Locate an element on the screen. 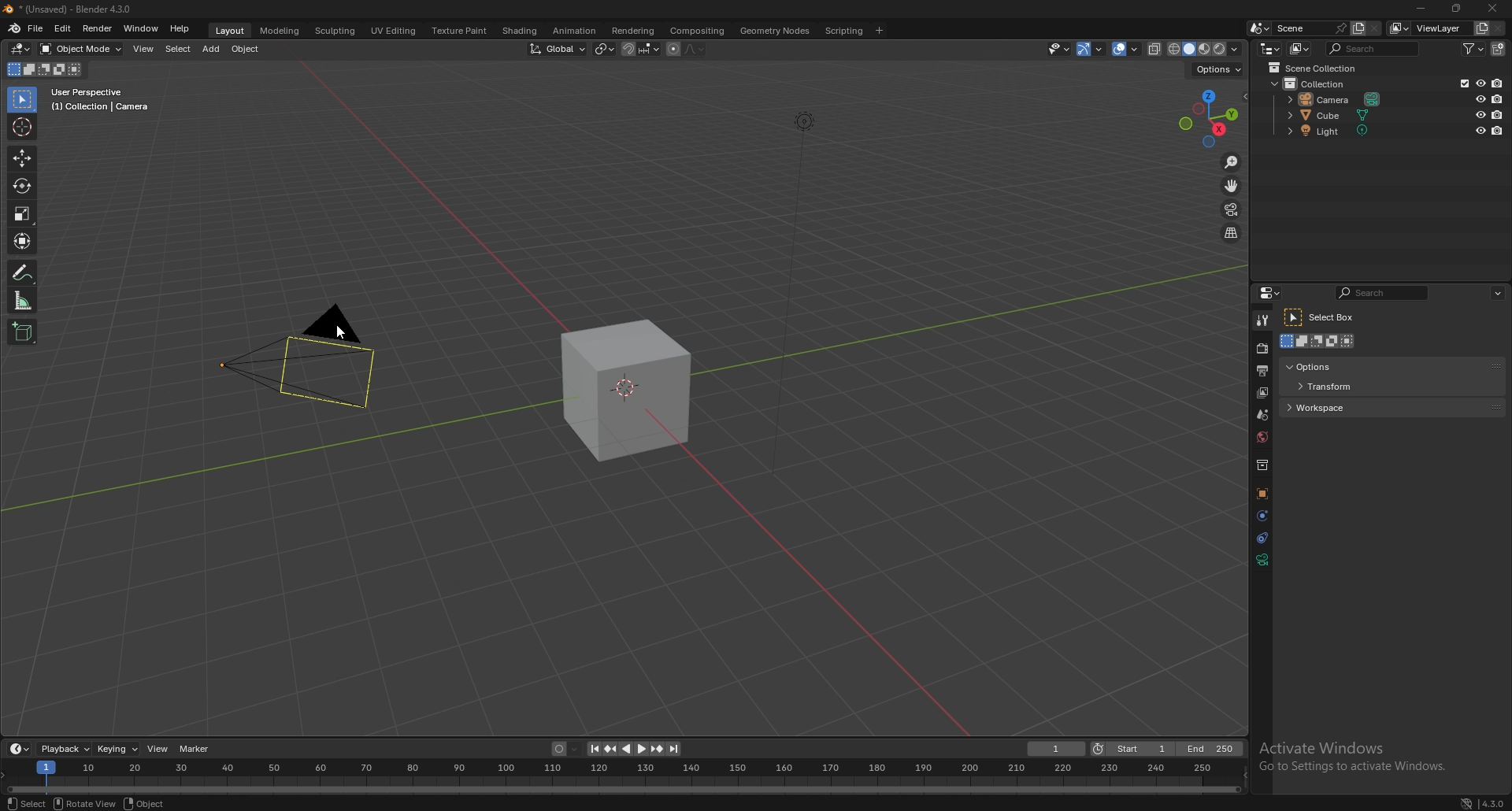 The width and height of the screenshot is (1512, 811). browse scene is located at coordinates (1258, 28).